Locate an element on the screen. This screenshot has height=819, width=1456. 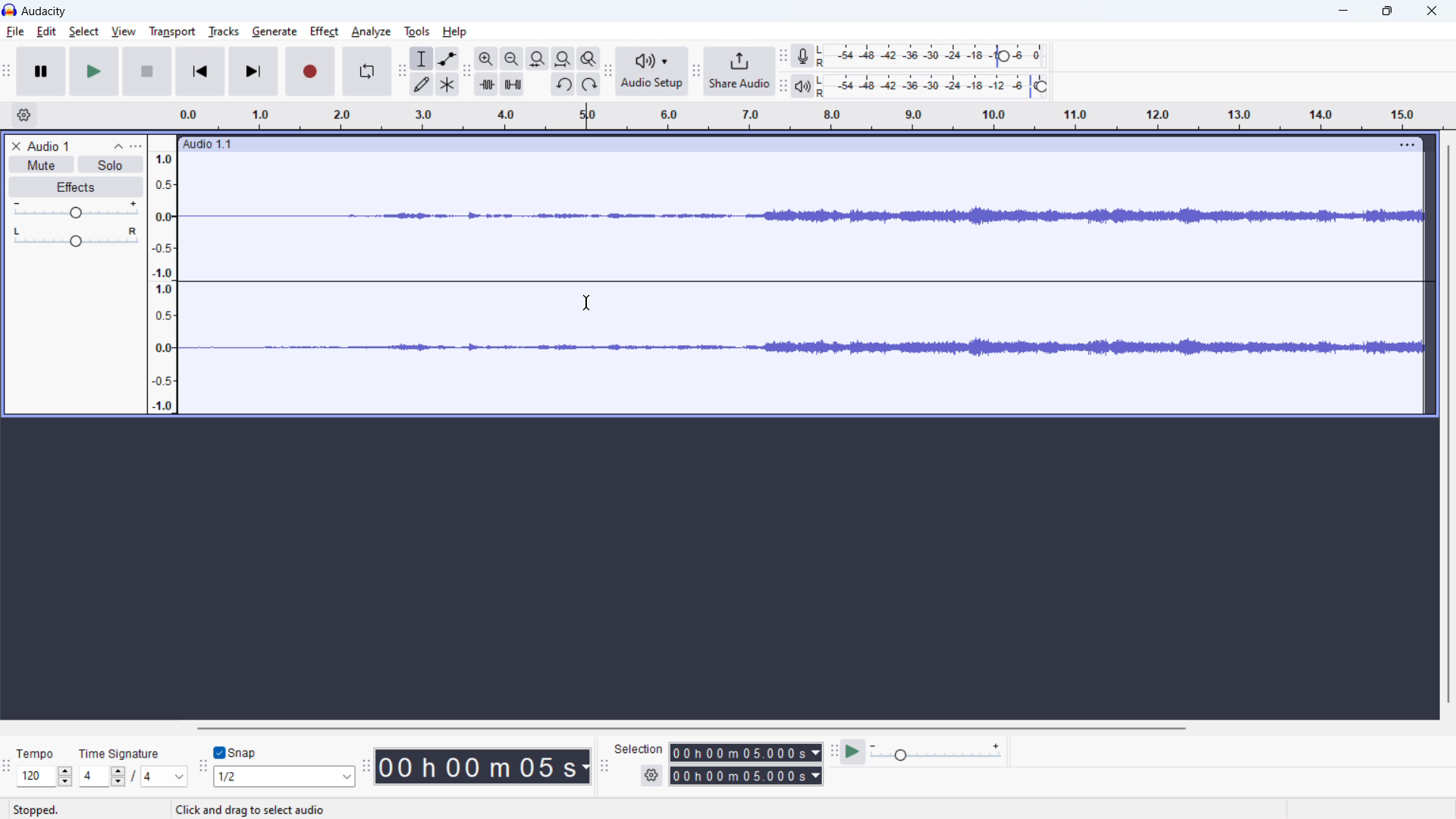
select is located at coordinates (83, 31).